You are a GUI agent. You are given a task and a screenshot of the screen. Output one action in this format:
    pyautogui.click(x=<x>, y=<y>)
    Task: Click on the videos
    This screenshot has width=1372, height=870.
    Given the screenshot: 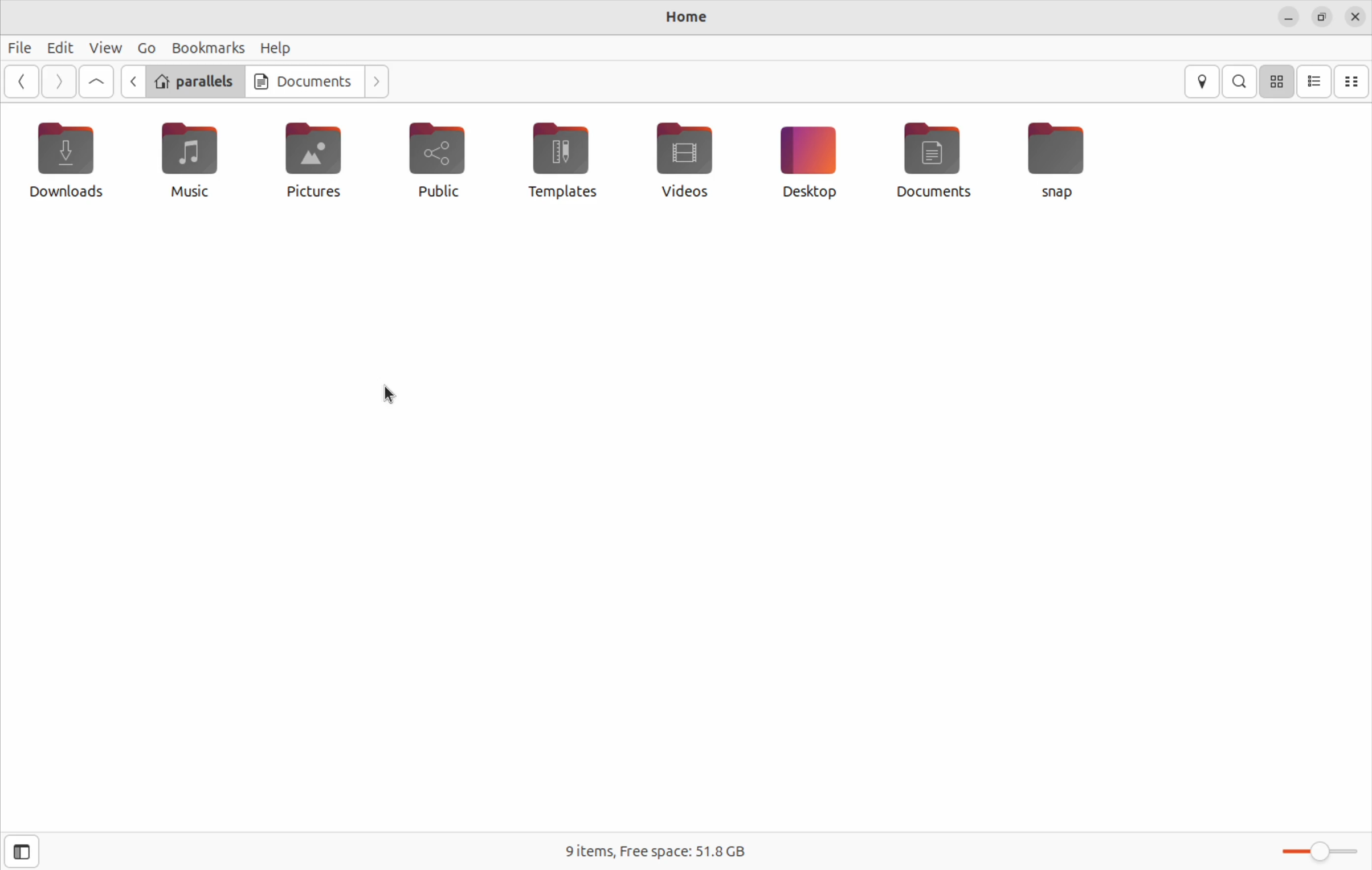 What is the action you would take?
    pyautogui.click(x=685, y=160)
    